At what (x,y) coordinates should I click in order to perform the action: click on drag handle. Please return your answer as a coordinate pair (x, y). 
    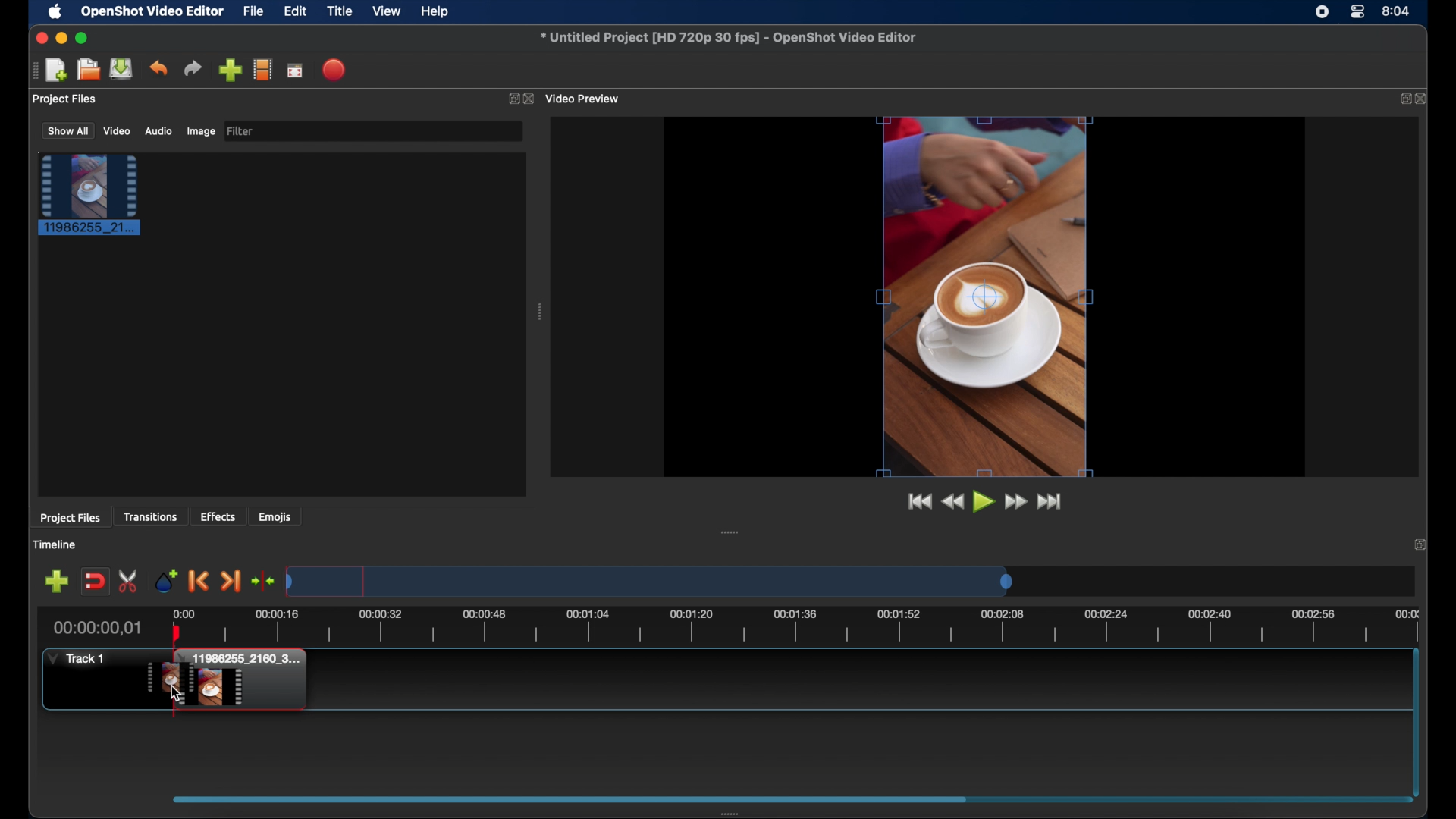
    Looking at the image, I should click on (731, 532).